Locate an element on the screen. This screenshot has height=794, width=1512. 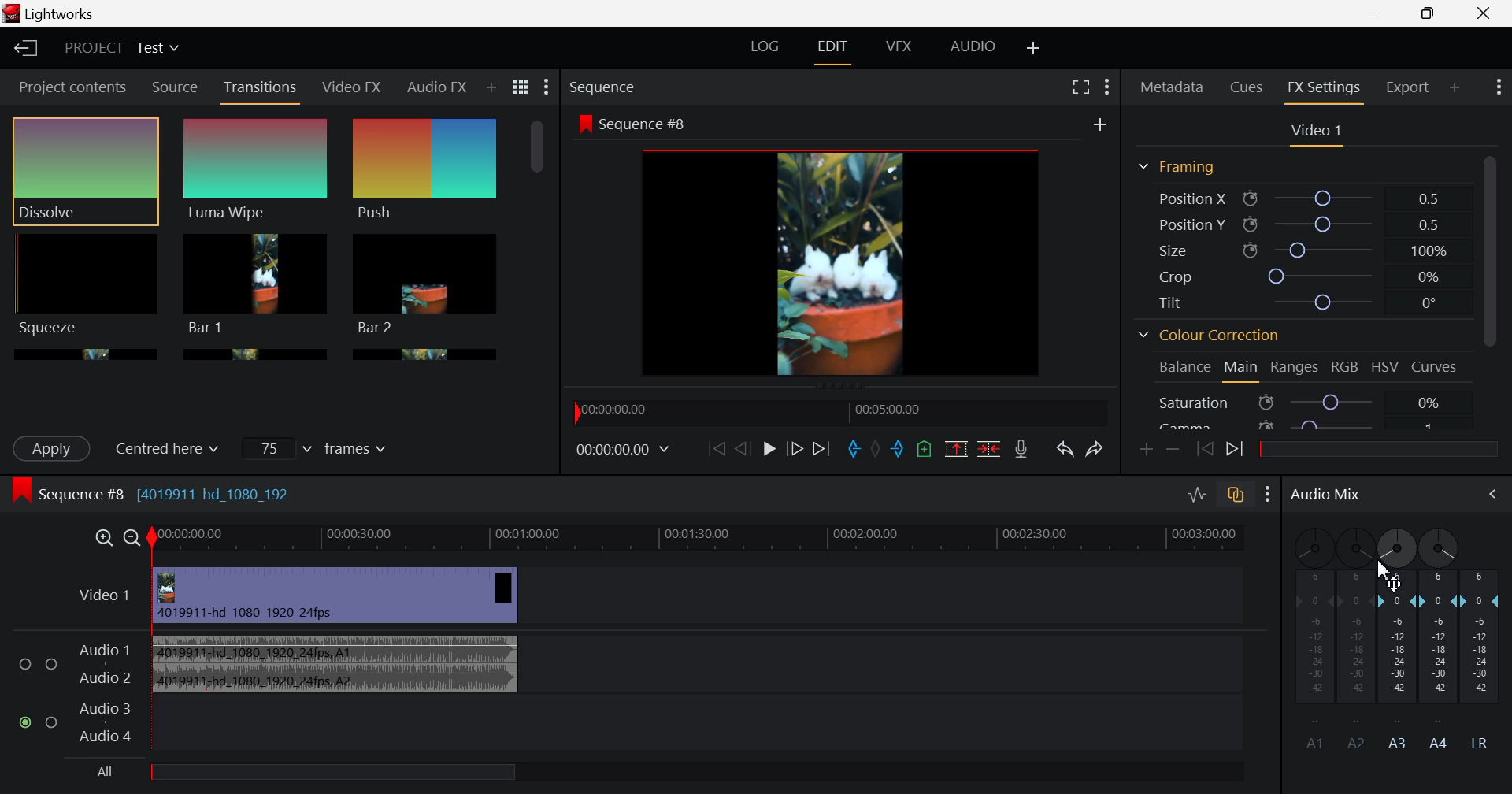
Frame Time is located at coordinates (622, 453).